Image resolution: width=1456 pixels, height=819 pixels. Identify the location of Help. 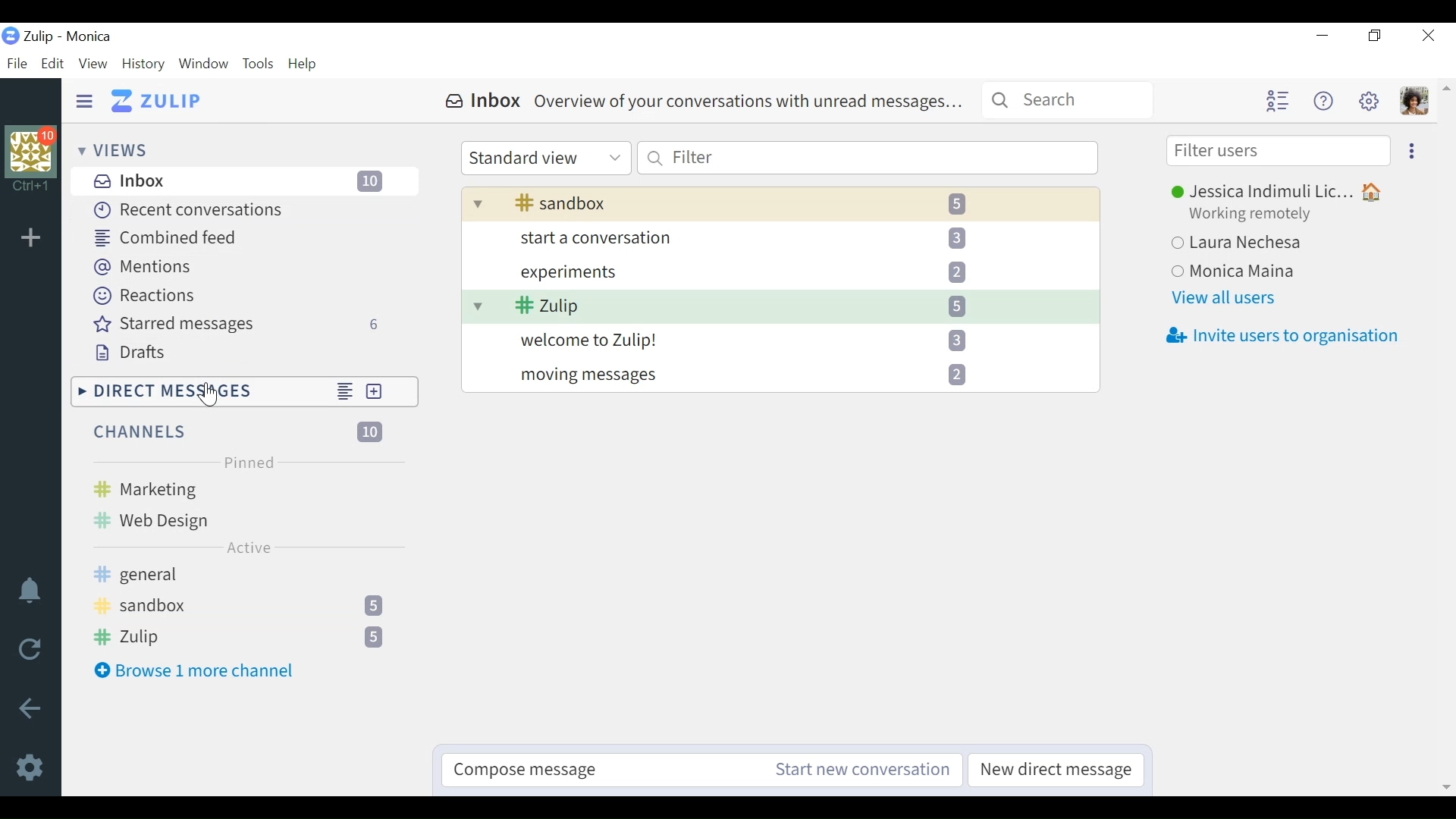
(301, 64).